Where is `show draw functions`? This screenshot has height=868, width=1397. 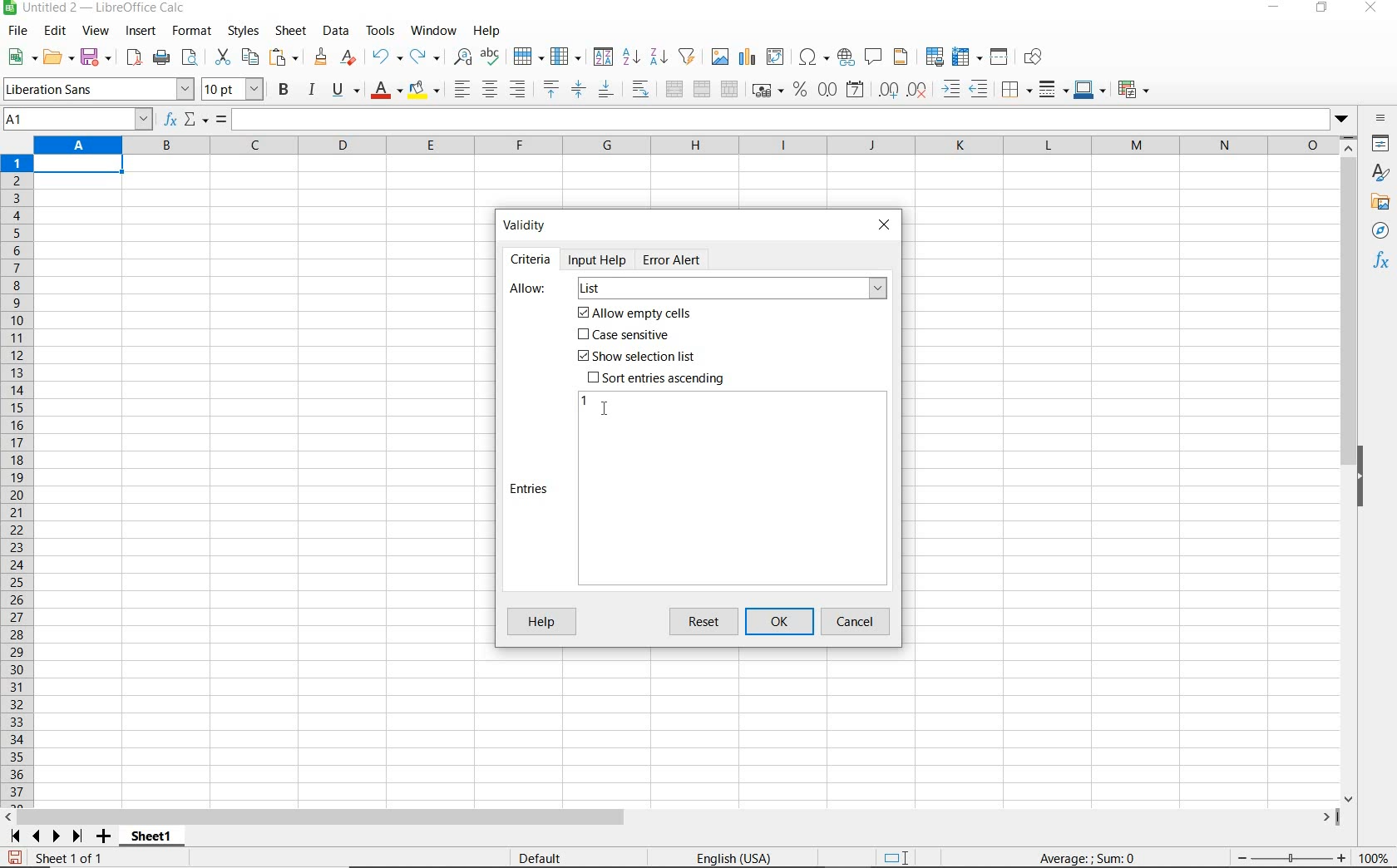
show draw functions is located at coordinates (1036, 57).